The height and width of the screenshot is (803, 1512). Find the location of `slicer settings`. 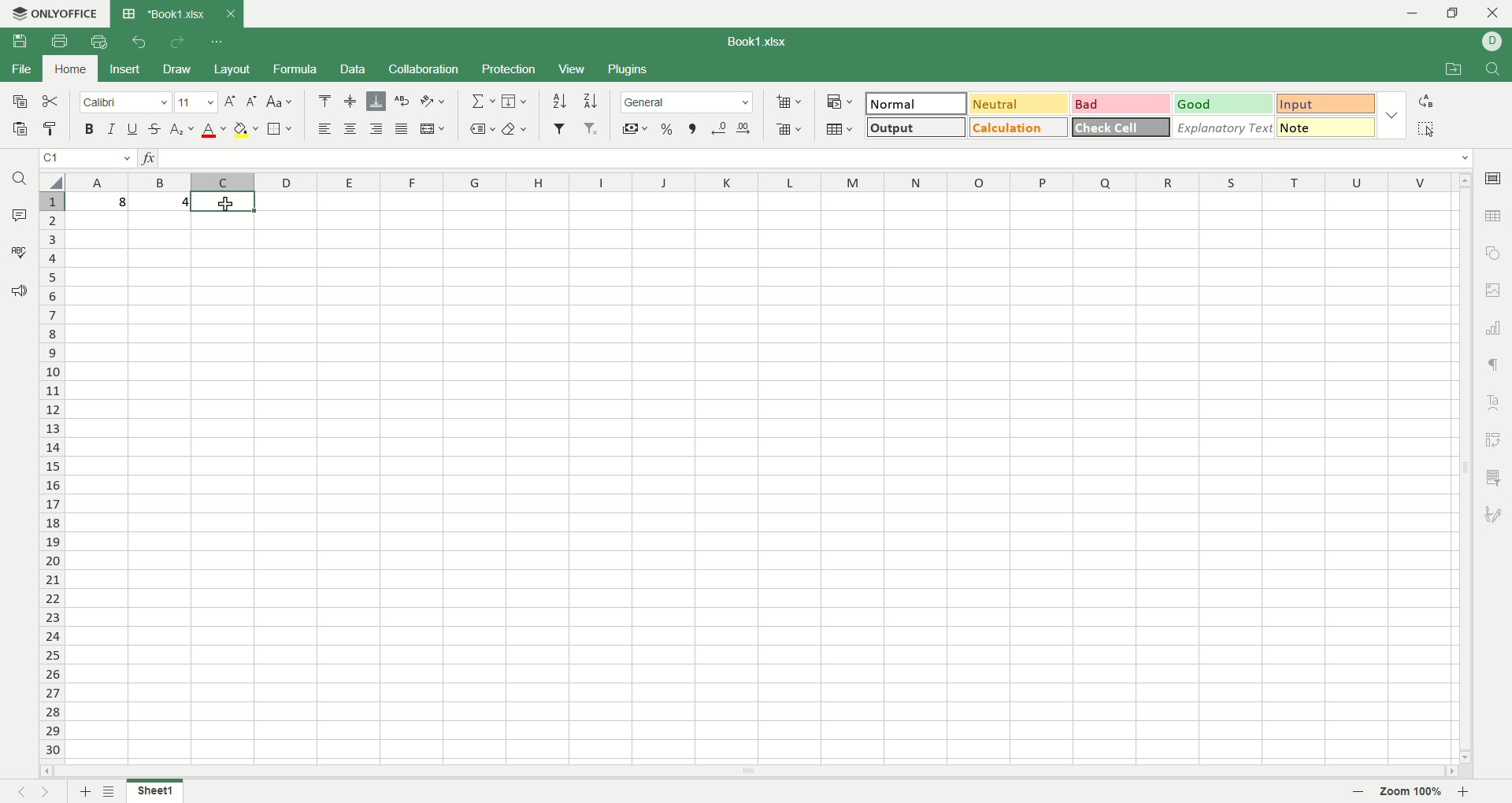

slicer settings is located at coordinates (1494, 479).